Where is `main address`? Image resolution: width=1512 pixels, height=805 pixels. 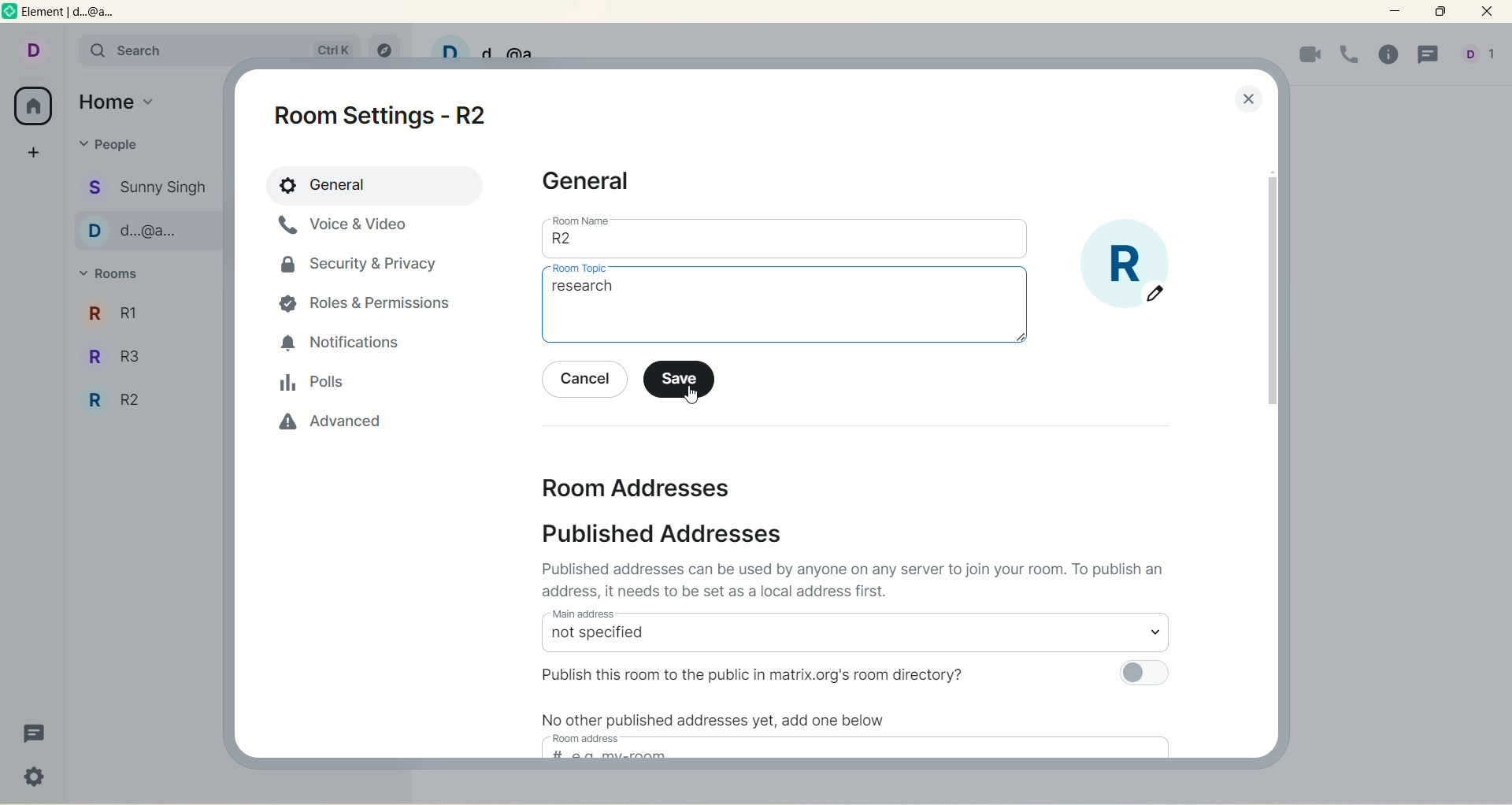 main address is located at coordinates (583, 613).